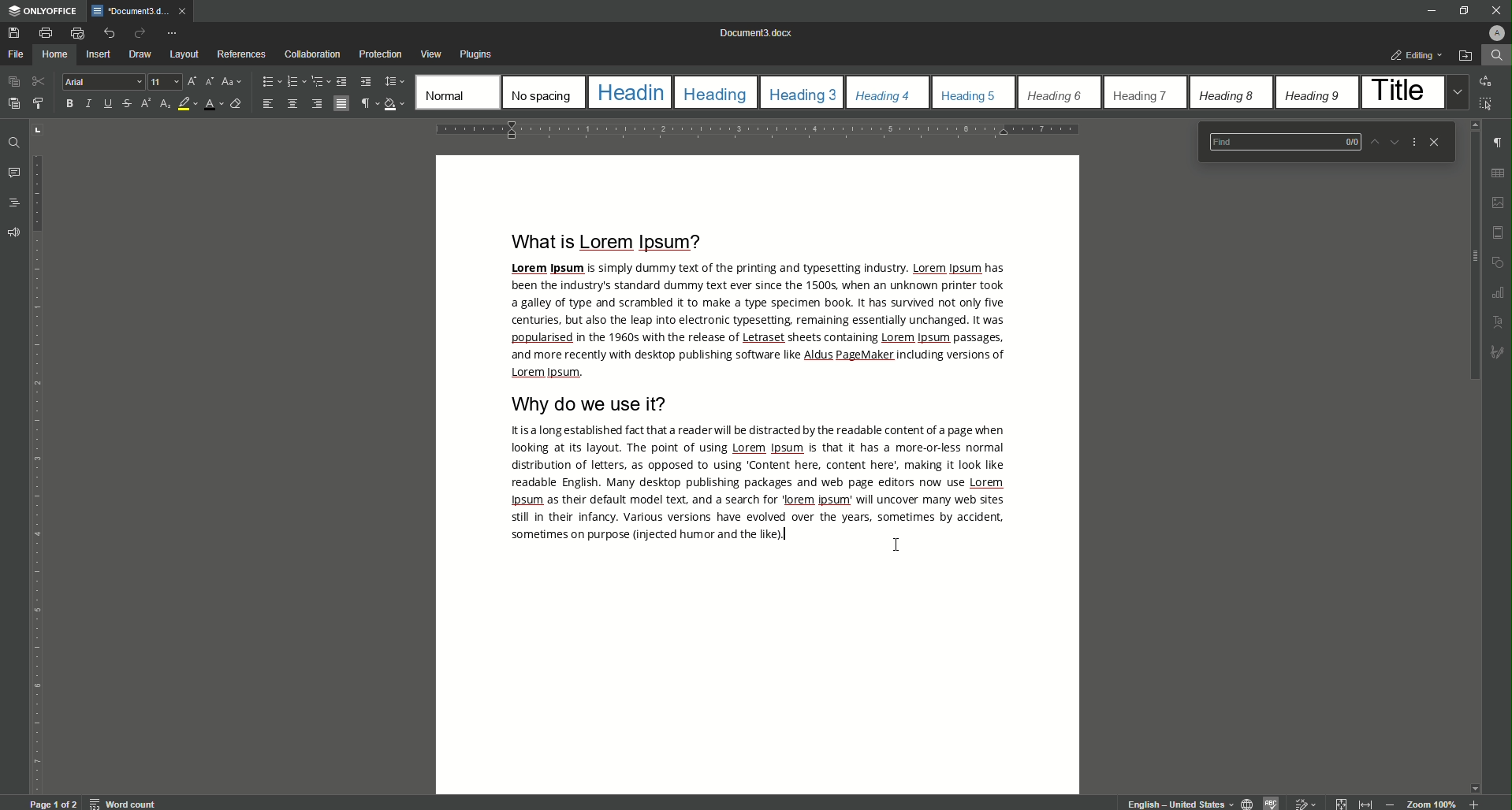 The width and height of the screenshot is (1512, 810). I want to click on Home, so click(57, 54).